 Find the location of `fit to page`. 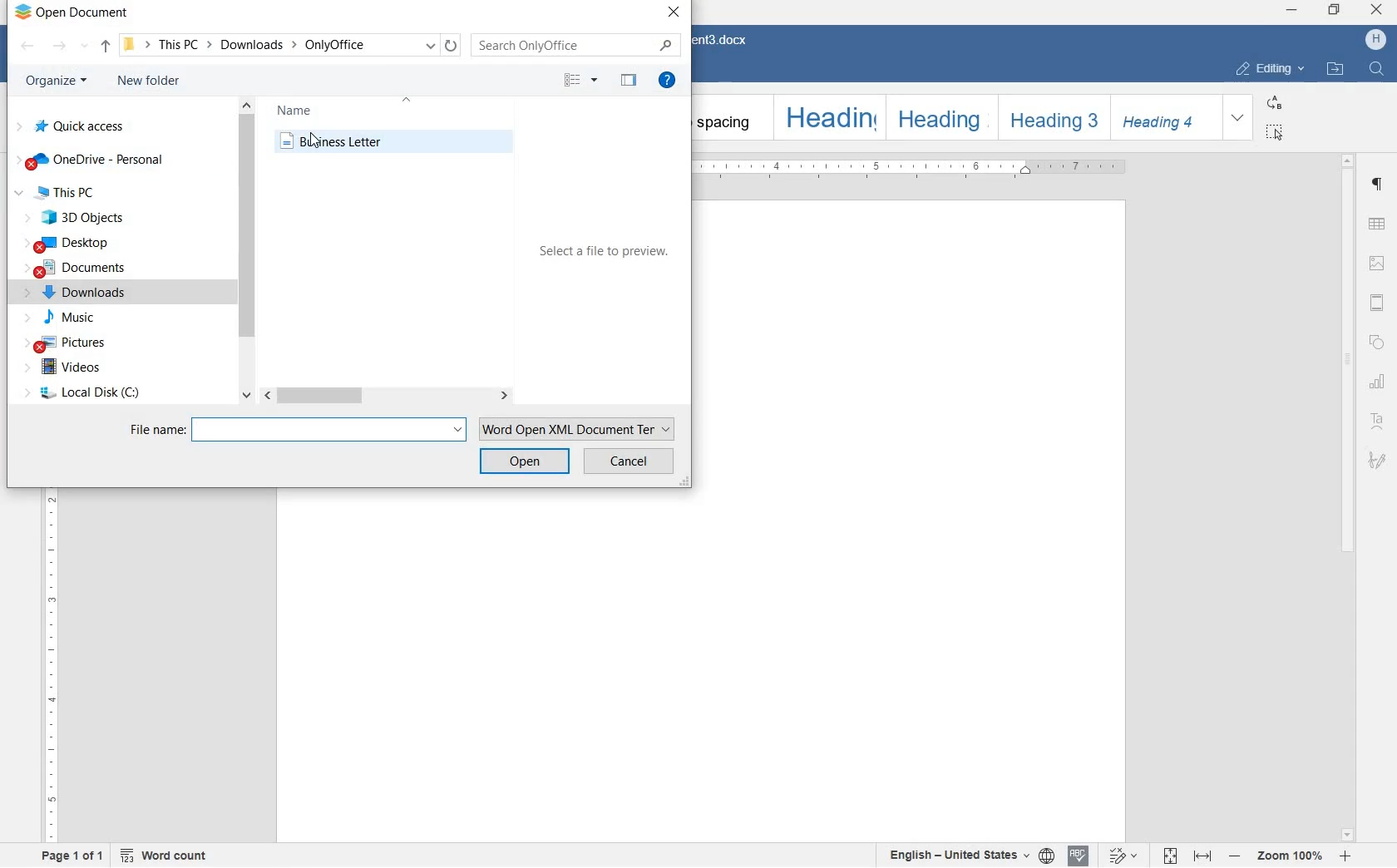

fit to page is located at coordinates (1169, 854).